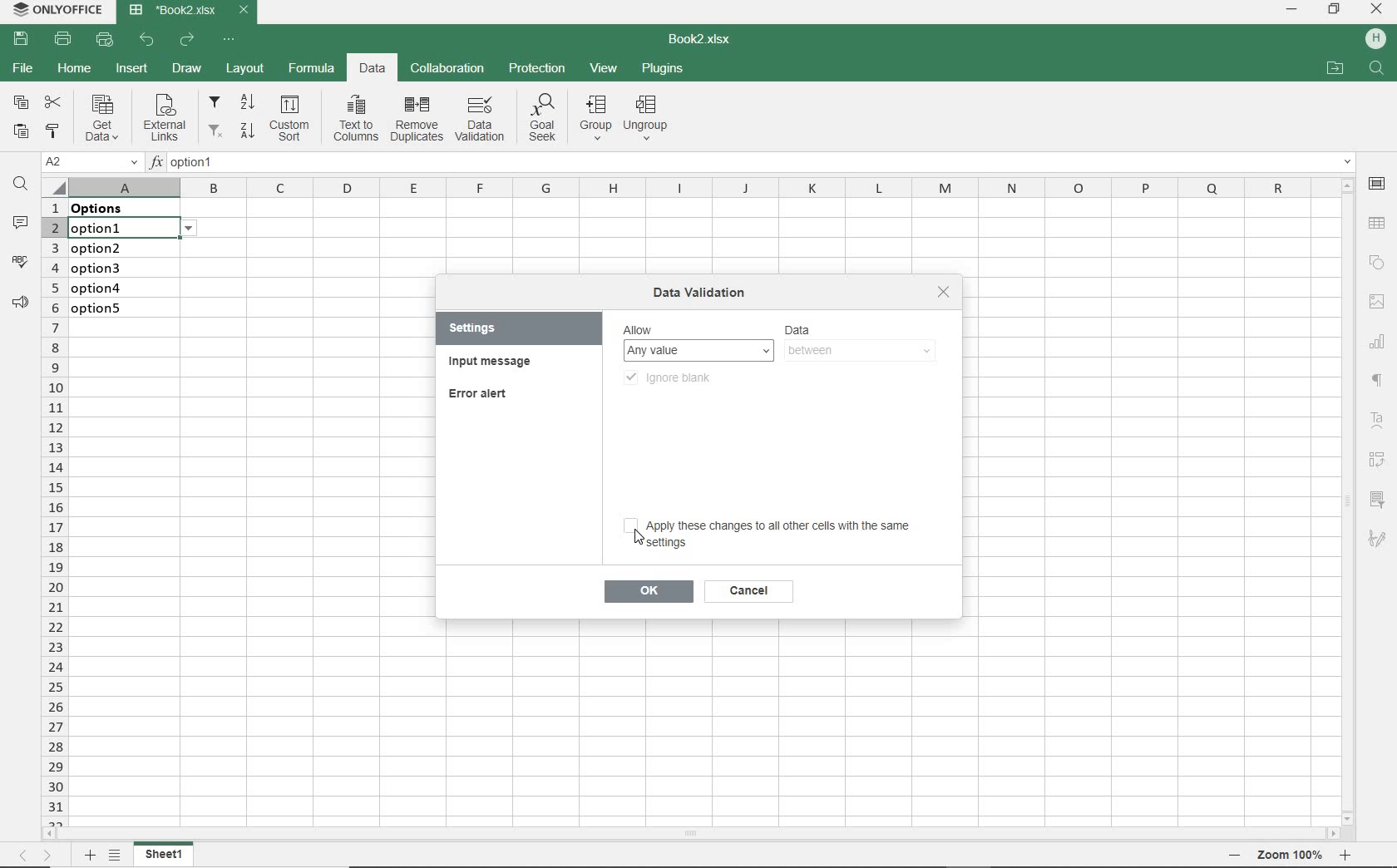 This screenshot has width=1397, height=868. What do you see at coordinates (700, 350) in the screenshot?
I see `ay value` at bounding box center [700, 350].